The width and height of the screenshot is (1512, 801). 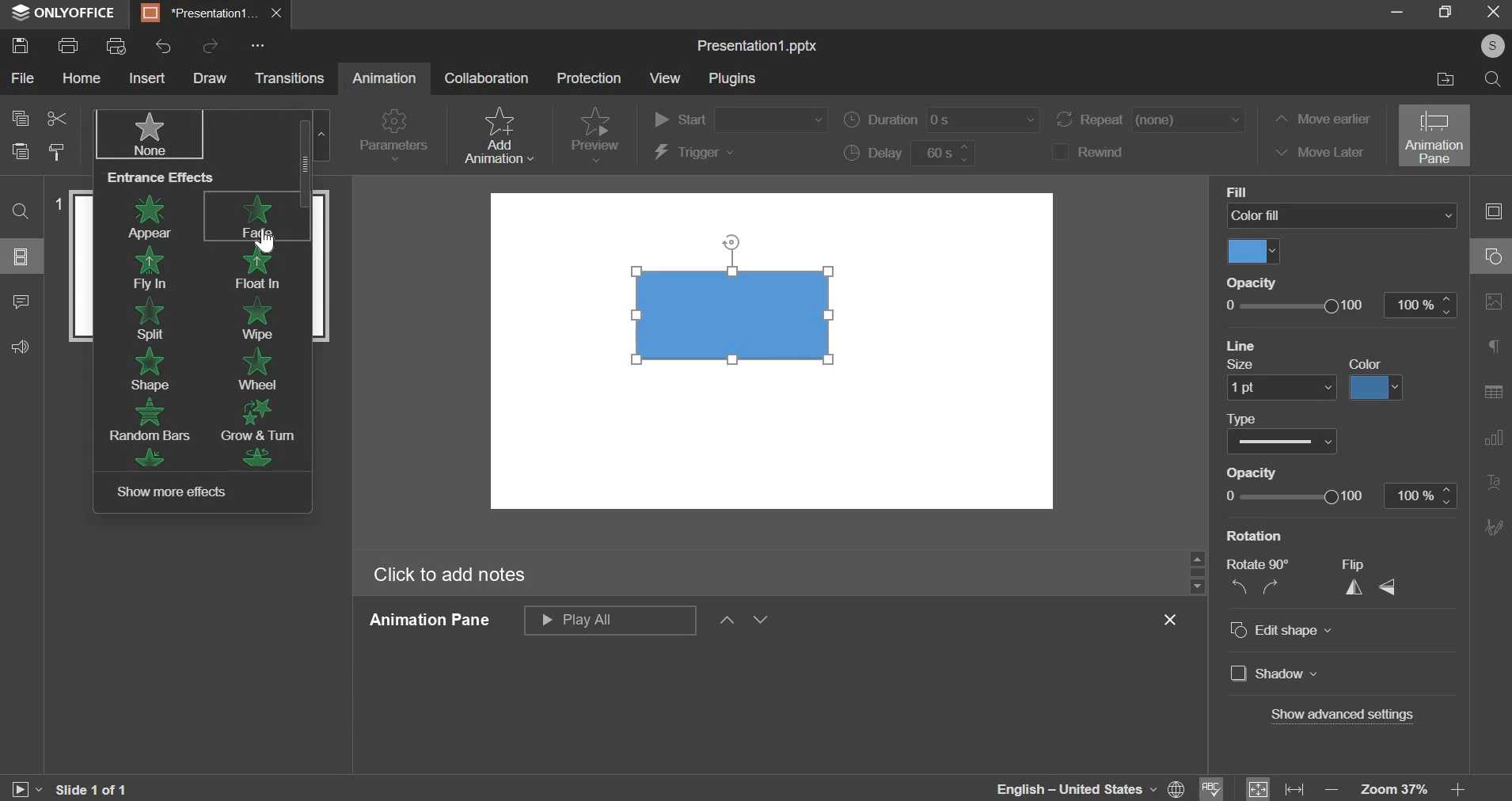 What do you see at coordinates (1493, 44) in the screenshot?
I see `Profile` at bounding box center [1493, 44].